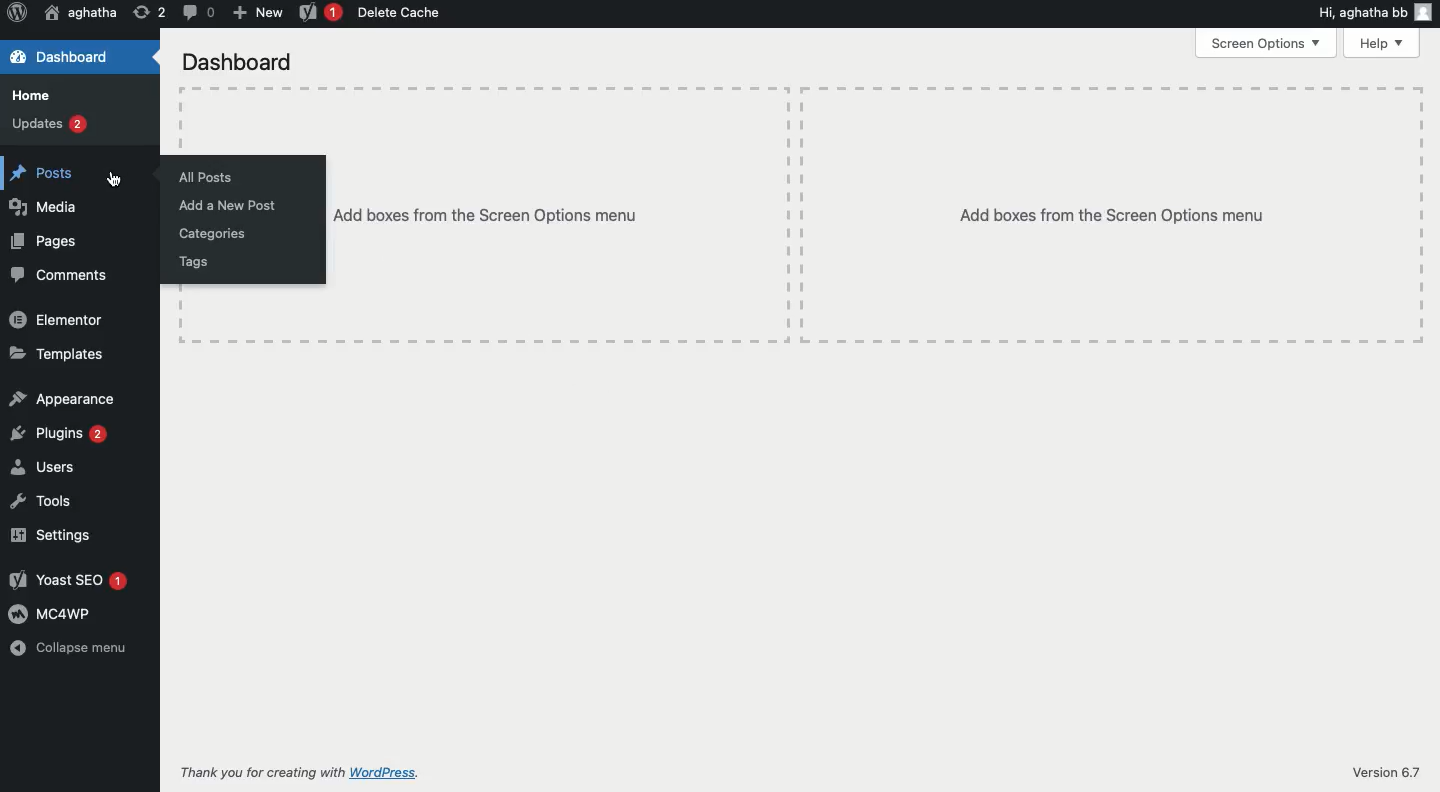 The width and height of the screenshot is (1440, 792). What do you see at coordinates (1380, 770) in the screenshot?
I see `Version 6.7` at bounding box center [1380, 770].